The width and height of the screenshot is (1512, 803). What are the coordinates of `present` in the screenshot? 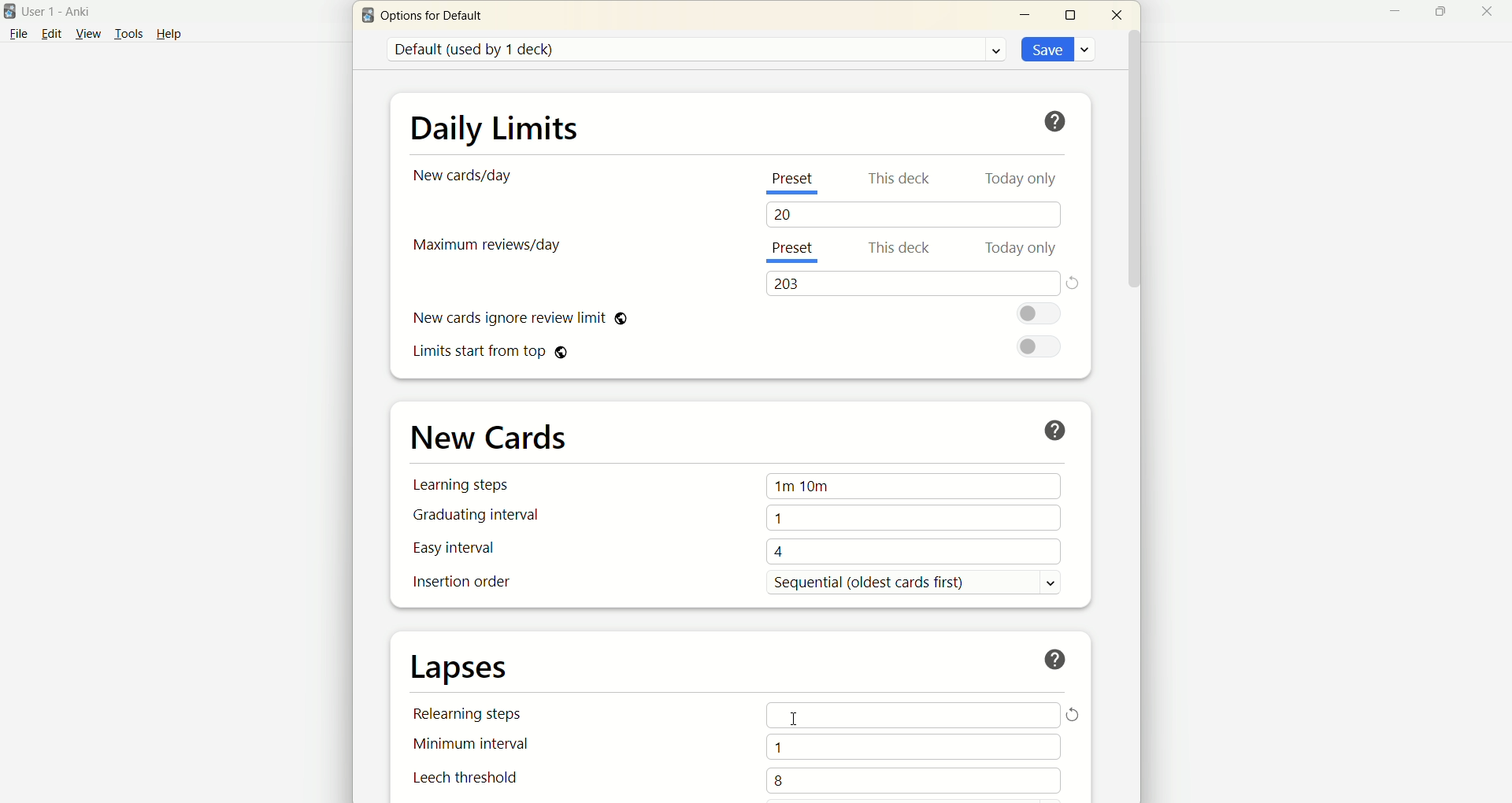 It's located at (798, 251).